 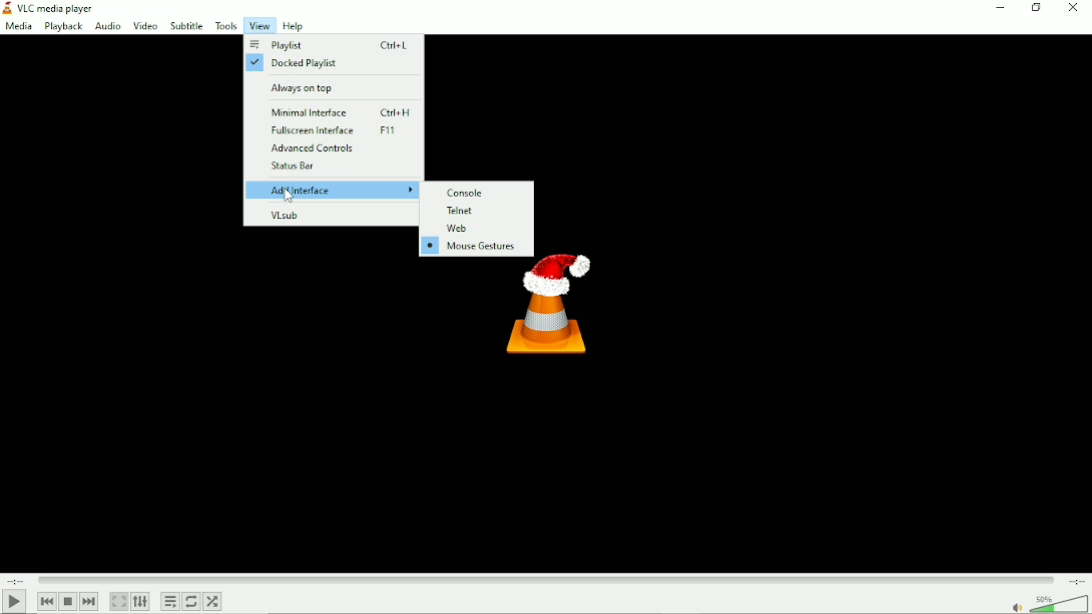 I want to click on Web, so click(x=475, y=229).